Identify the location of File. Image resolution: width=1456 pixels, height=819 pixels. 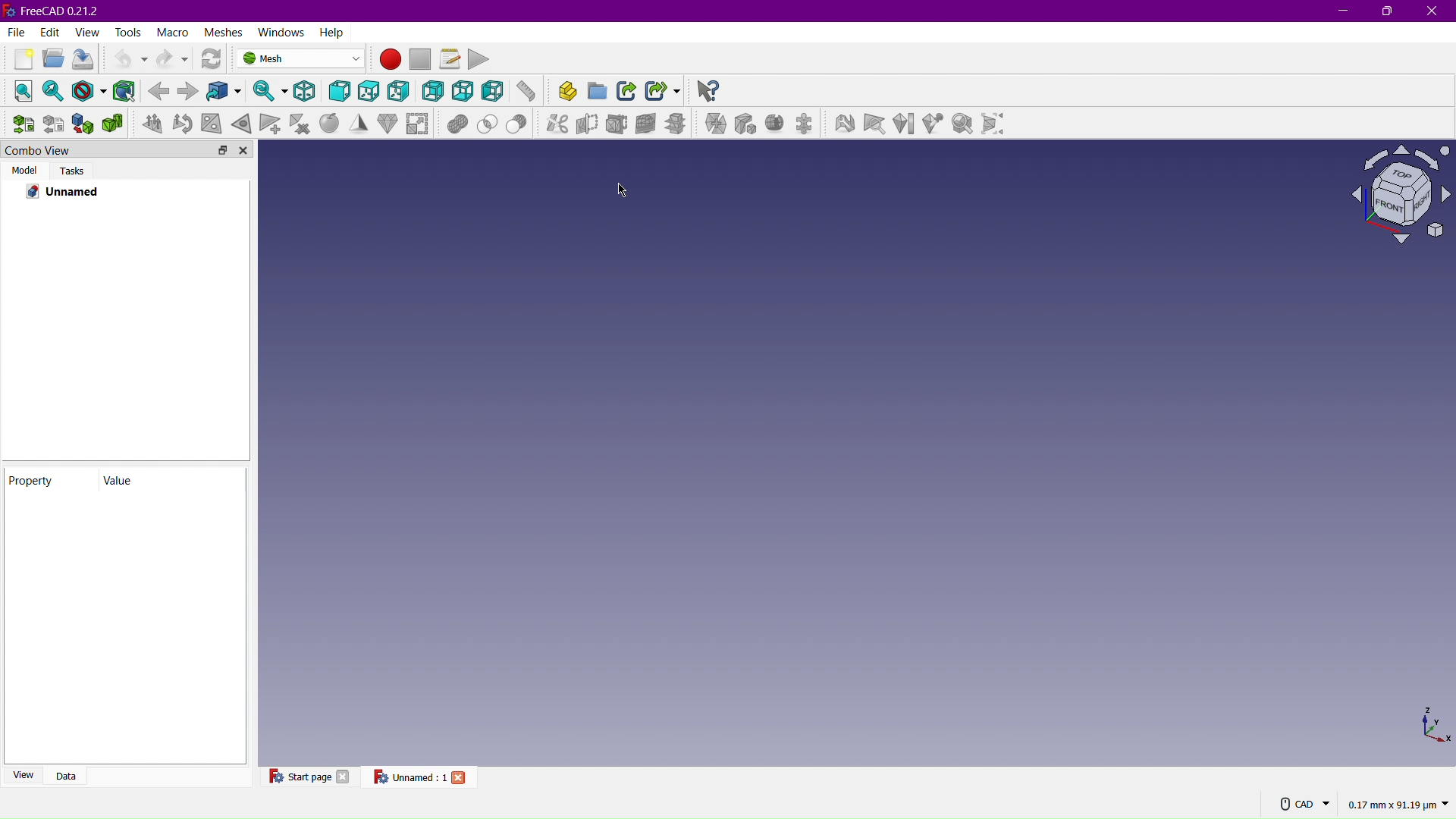
(14, 33).